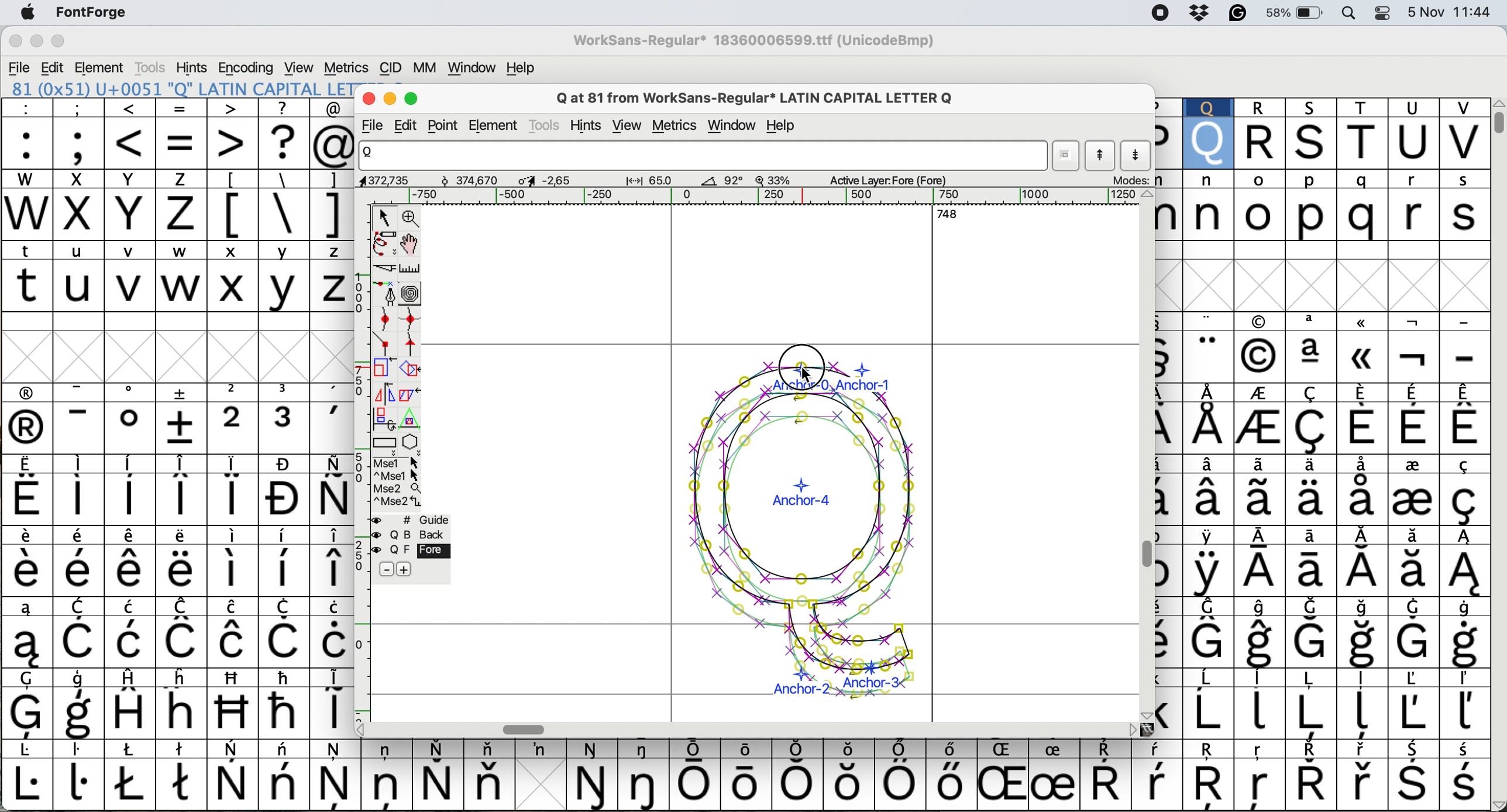 The height and width of the screenshot is (812, 1507). I want to click on add a curve point, so click(383, 319).